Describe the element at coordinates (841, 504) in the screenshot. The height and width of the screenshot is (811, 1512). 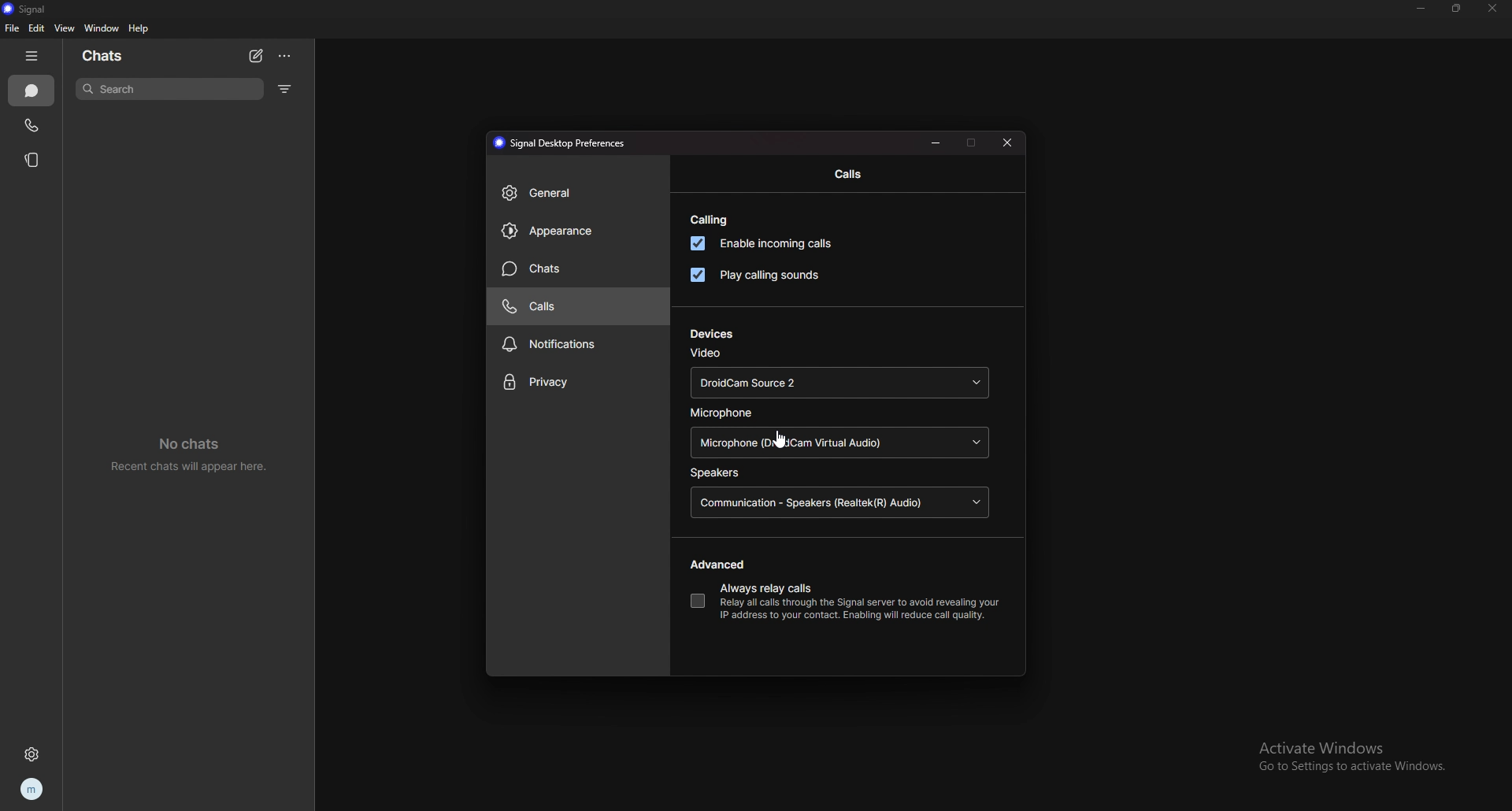
I see `speaker source` at that location.